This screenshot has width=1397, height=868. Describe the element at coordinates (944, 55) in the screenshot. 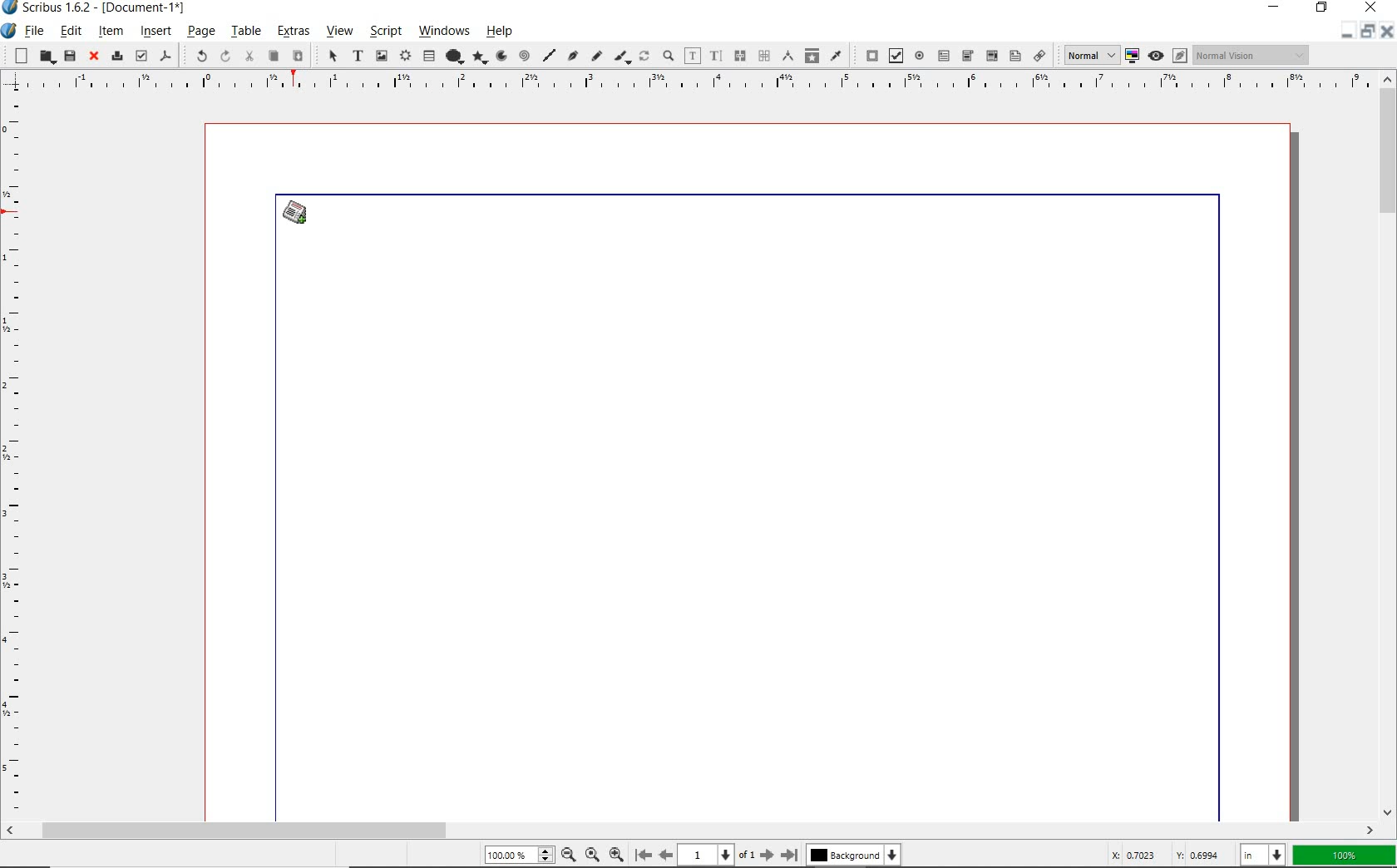

I see `pdf text field` at that location.